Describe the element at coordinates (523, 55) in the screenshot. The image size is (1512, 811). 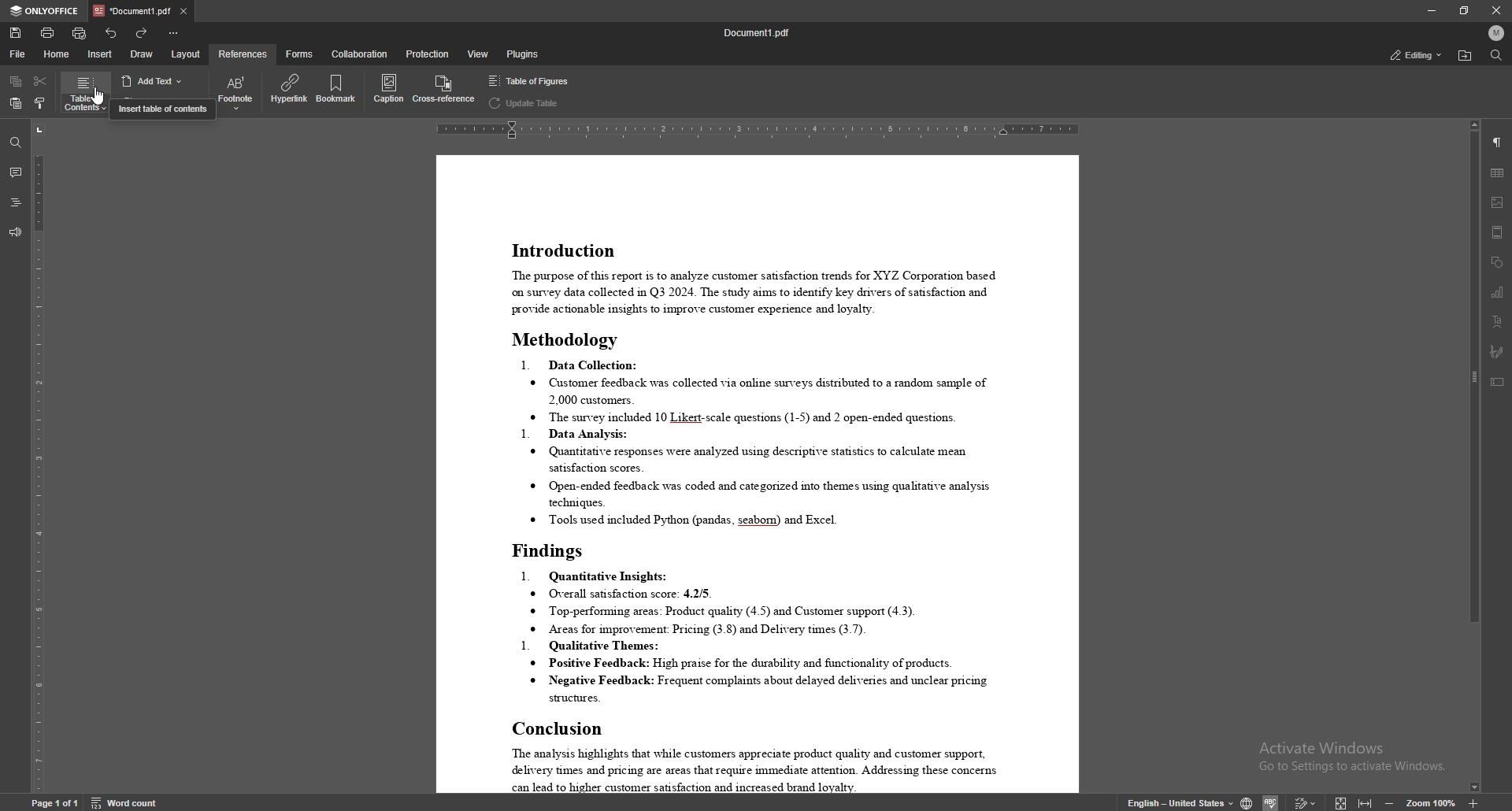
I see `plugins` at that location.